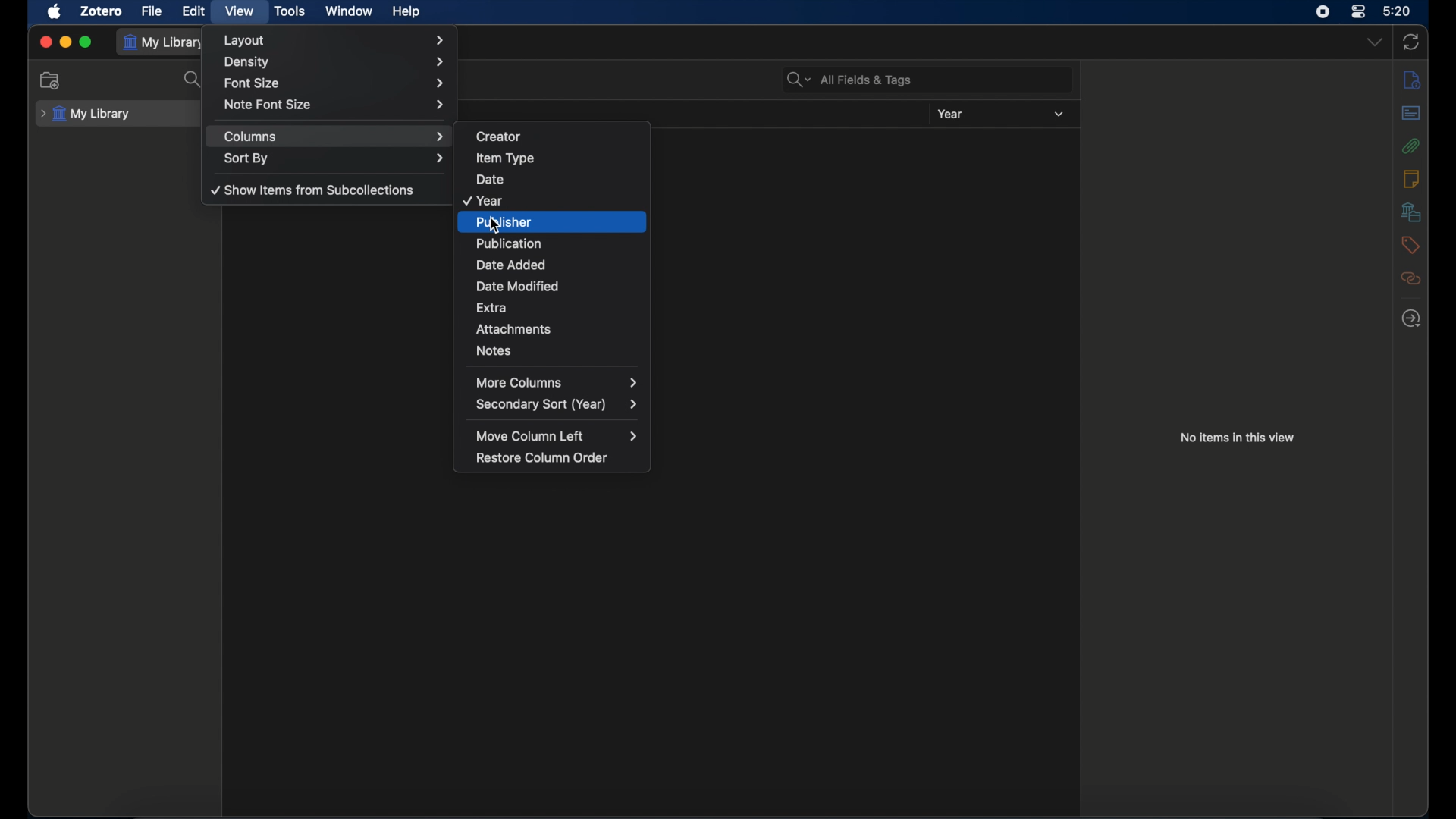 The height and width of the screenshot is (819, 1456). What do you see at coordinates (314, 190) in the screenshot?
I see `show items from subcollections` at bounding box center [314, 190].